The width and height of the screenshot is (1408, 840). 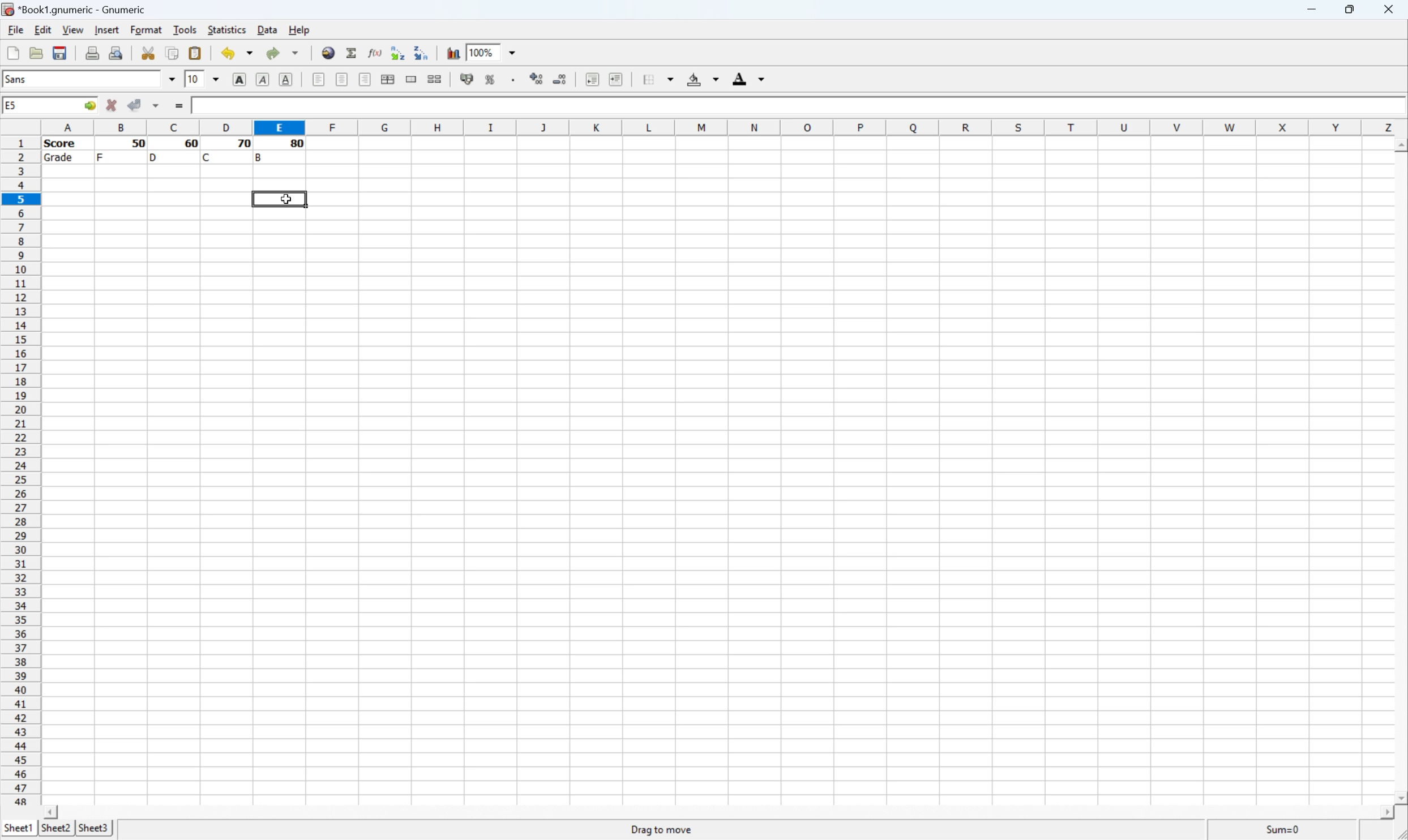 What do you see at coordinates (389, 79) in the screenshot?
I see `Center horizontally across the selection` at bounding box center [389, 79].